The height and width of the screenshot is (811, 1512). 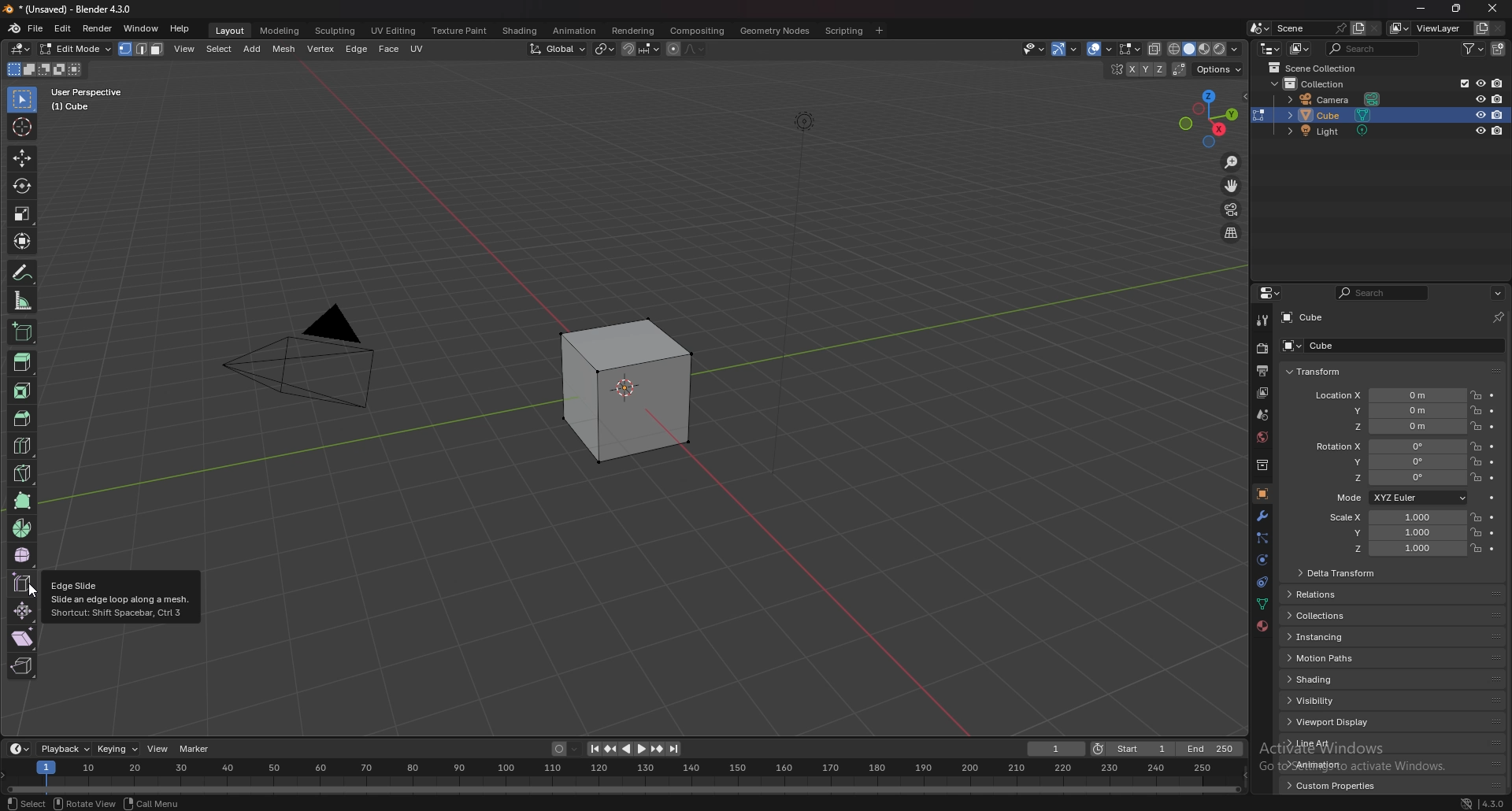 What do you see at coordinates (633, 748) in the screenshot?
I see `play animation` at bounding box center [633, 748].